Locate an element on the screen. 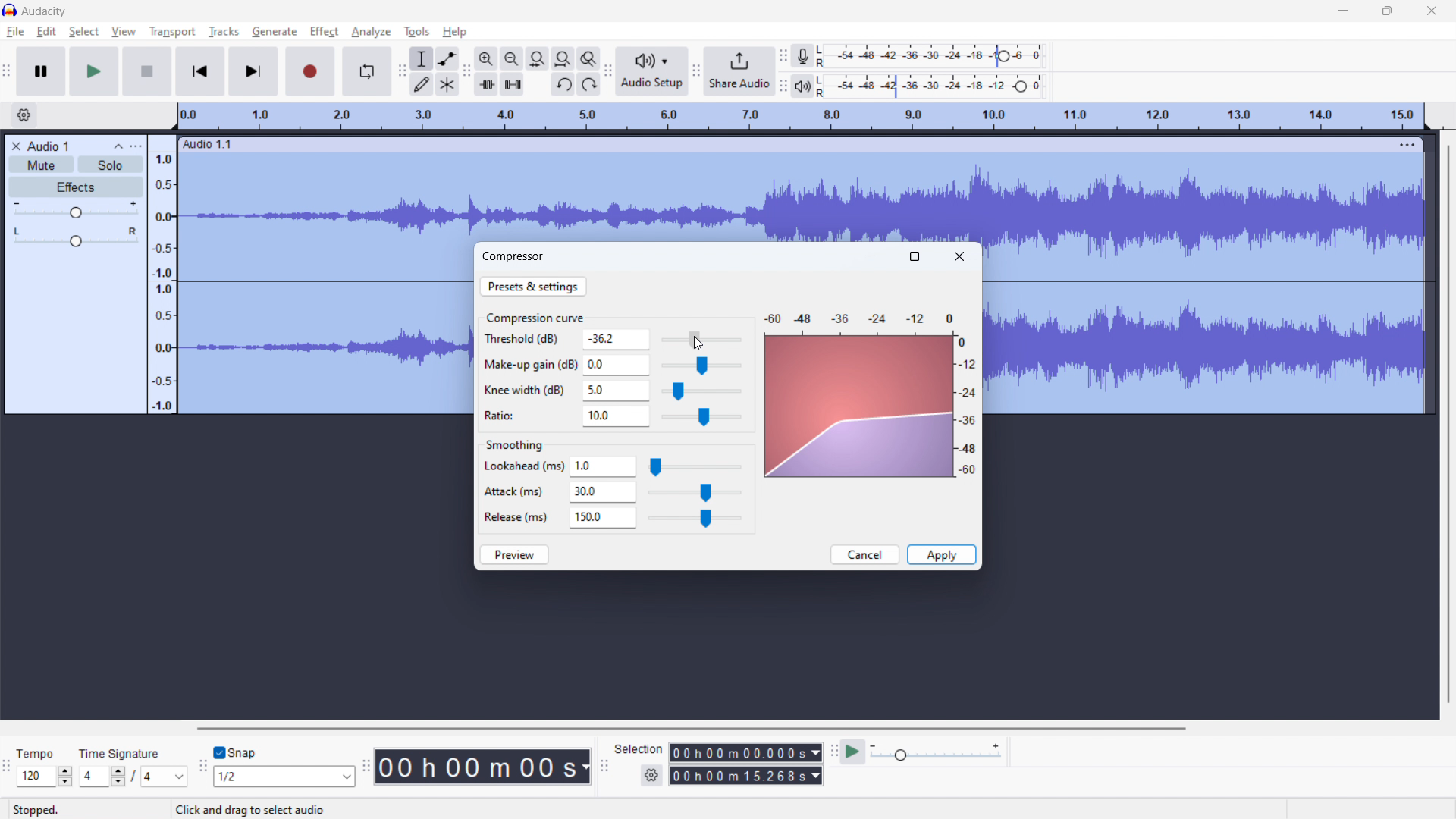  file is located at coordinates (14, 33).